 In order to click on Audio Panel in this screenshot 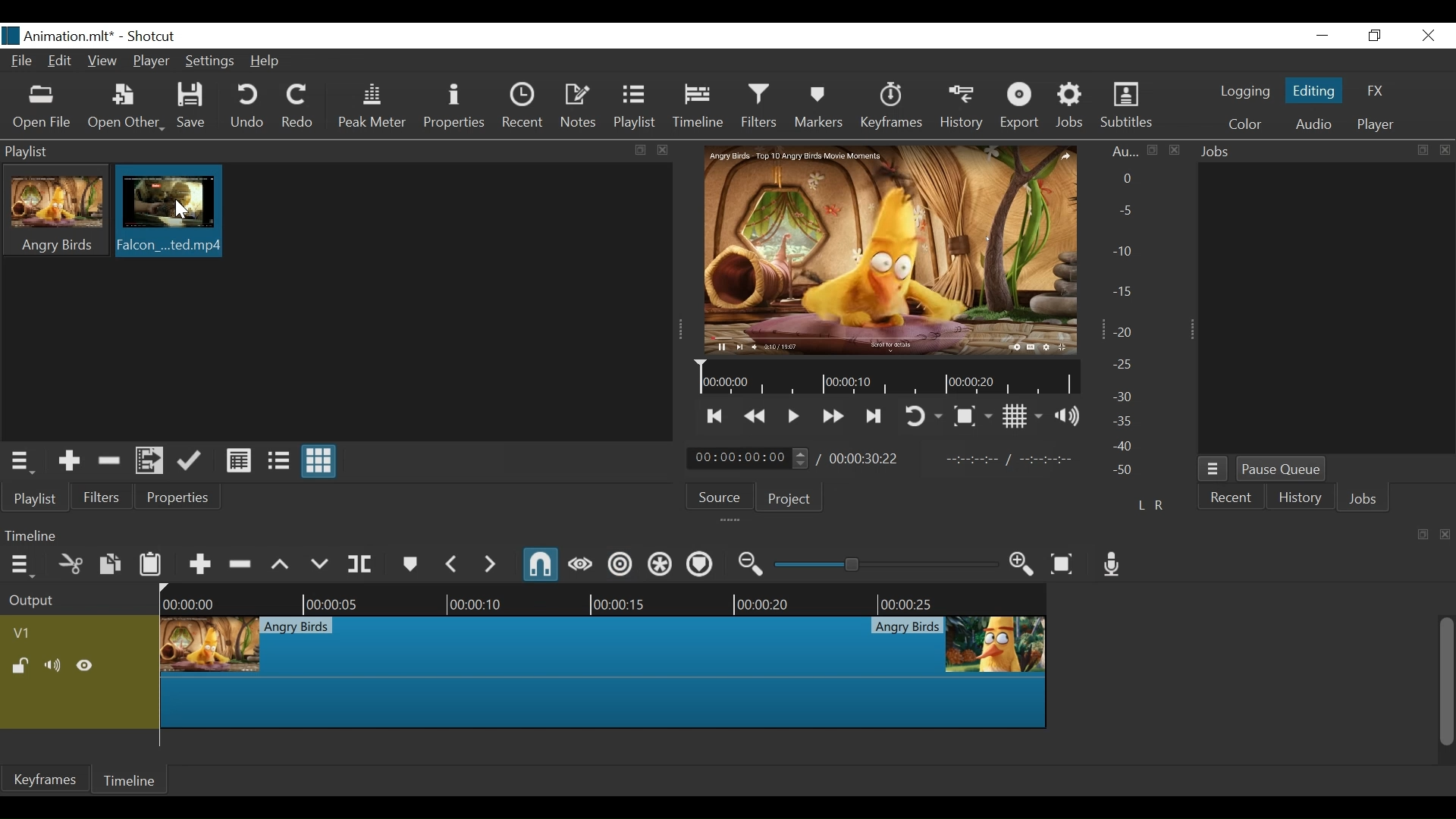, I will do `click(1129, 314)`.